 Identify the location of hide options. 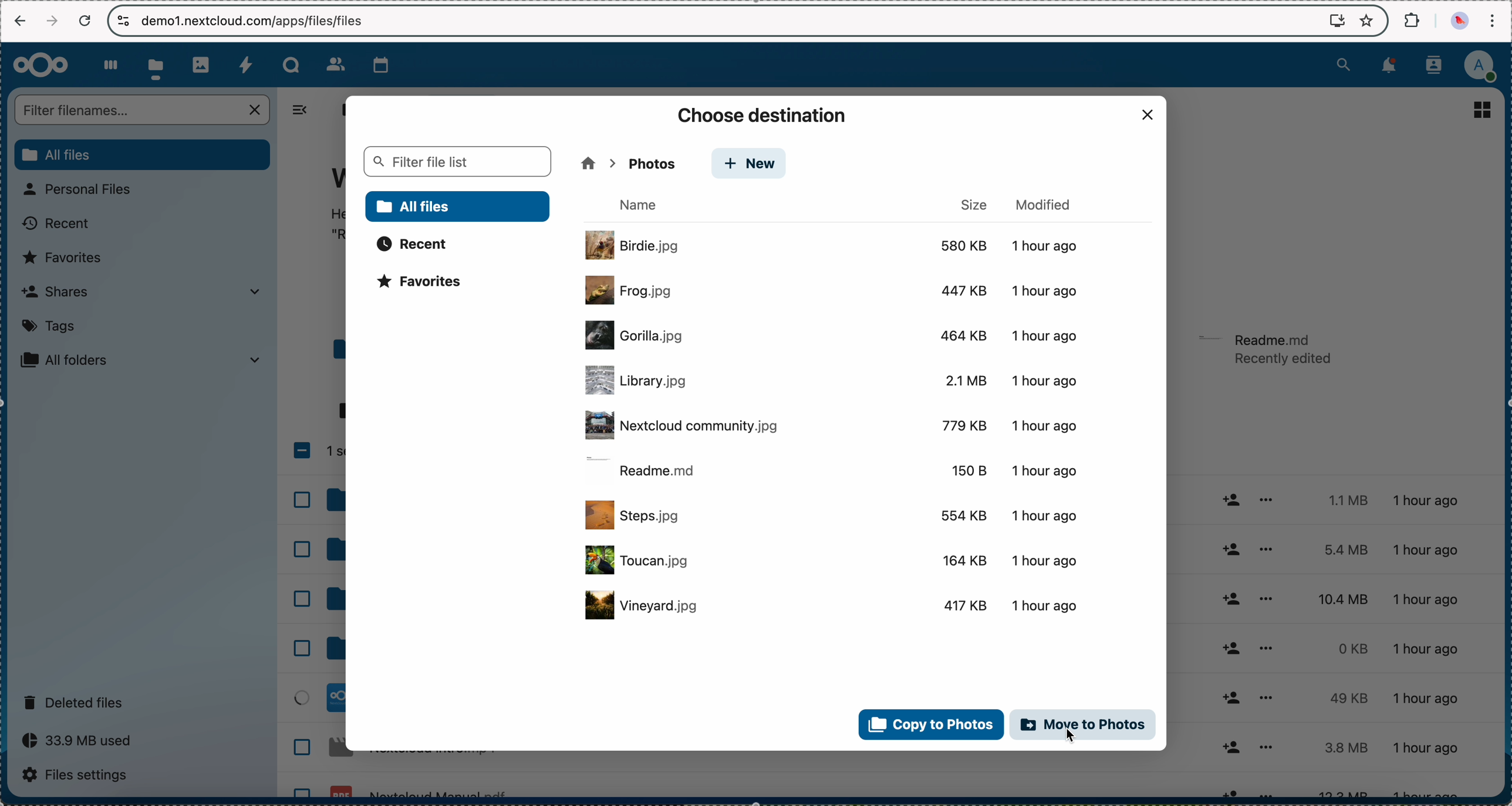
(305, 110).